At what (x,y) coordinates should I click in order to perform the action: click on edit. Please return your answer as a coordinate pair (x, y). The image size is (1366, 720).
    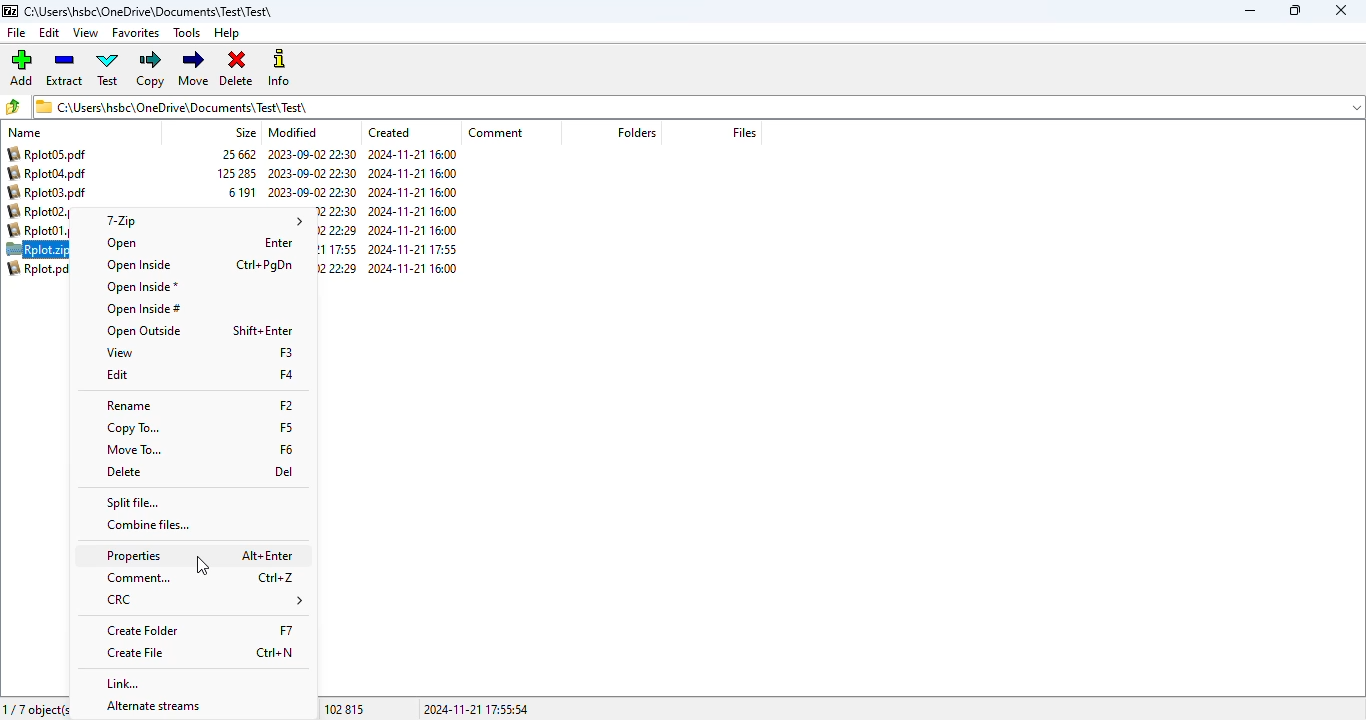
    Looking at the image, I should click on (116, 374).